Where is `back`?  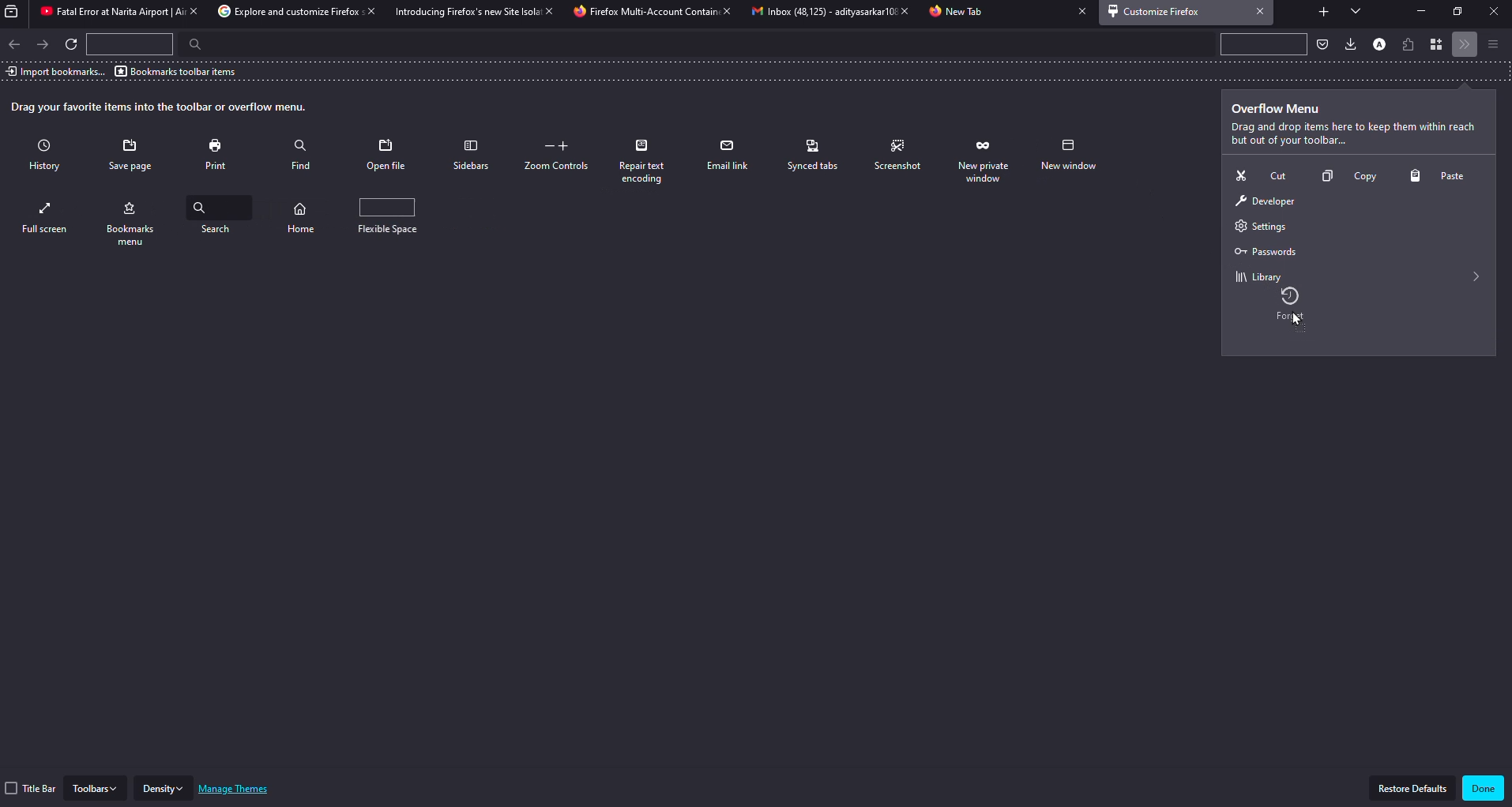 back is located at coordinates (15, 44).